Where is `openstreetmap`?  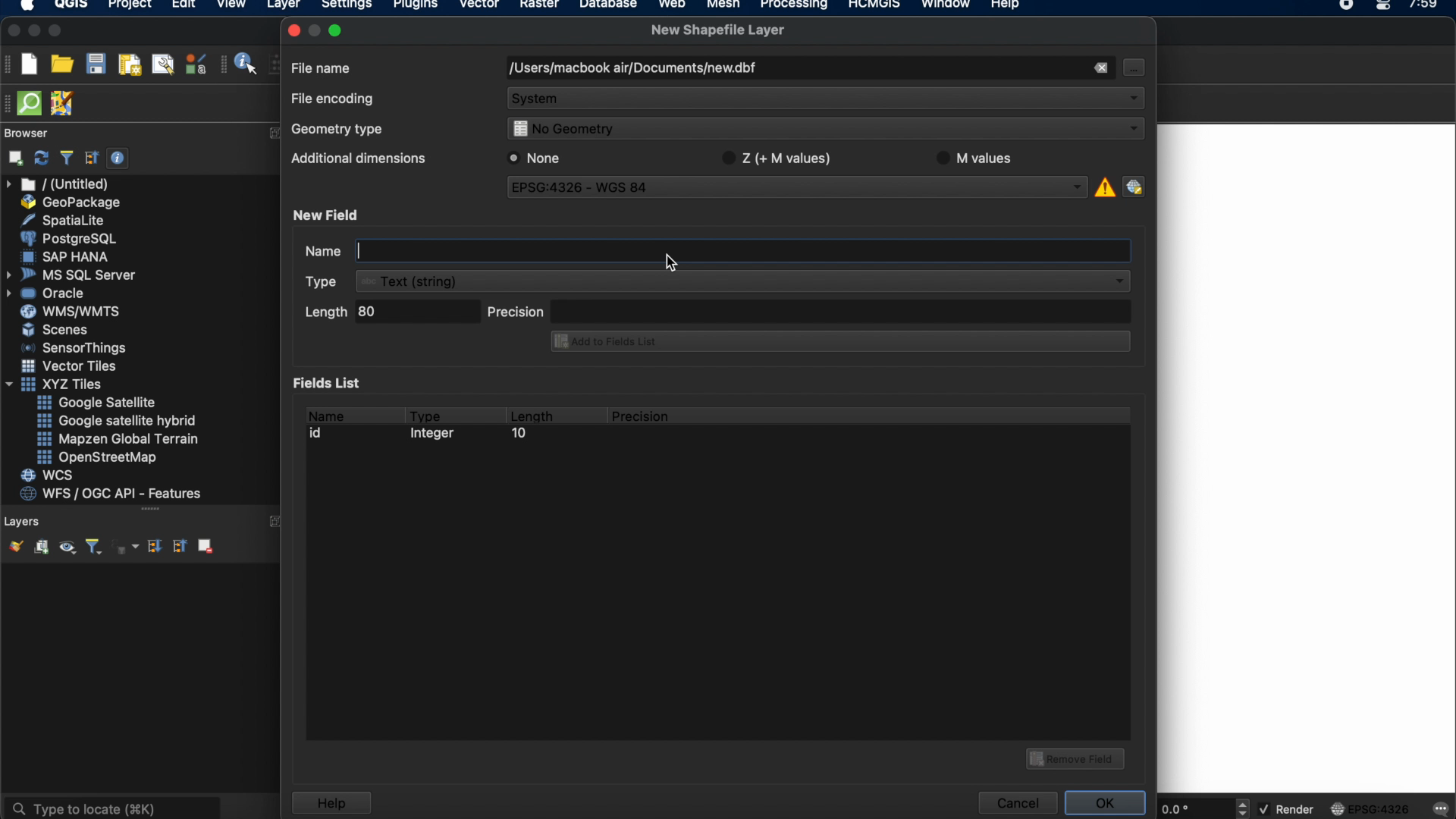
openstreetmap is located at coordinates (97, 458).